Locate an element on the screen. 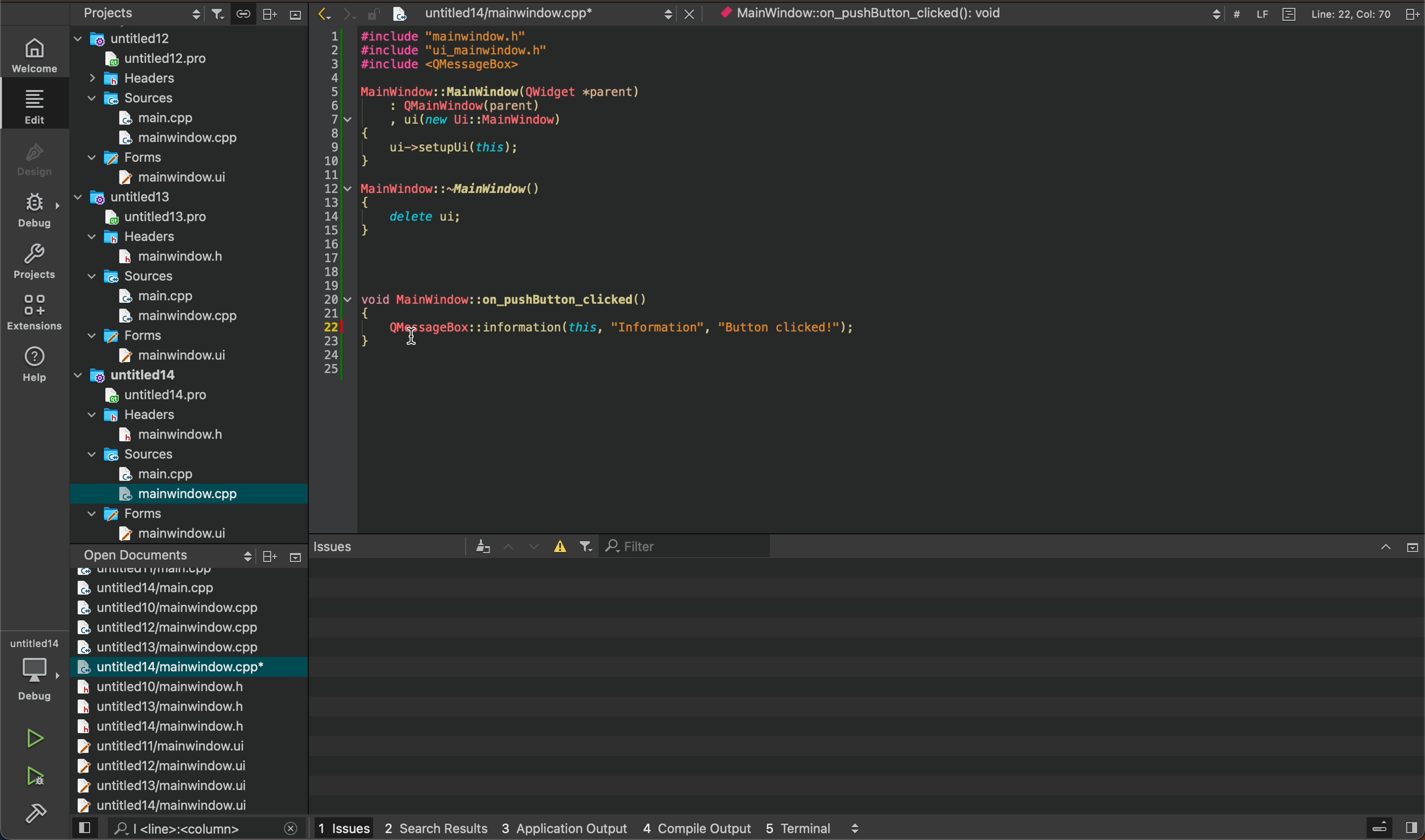  sources is located at coordinates (138, 453).